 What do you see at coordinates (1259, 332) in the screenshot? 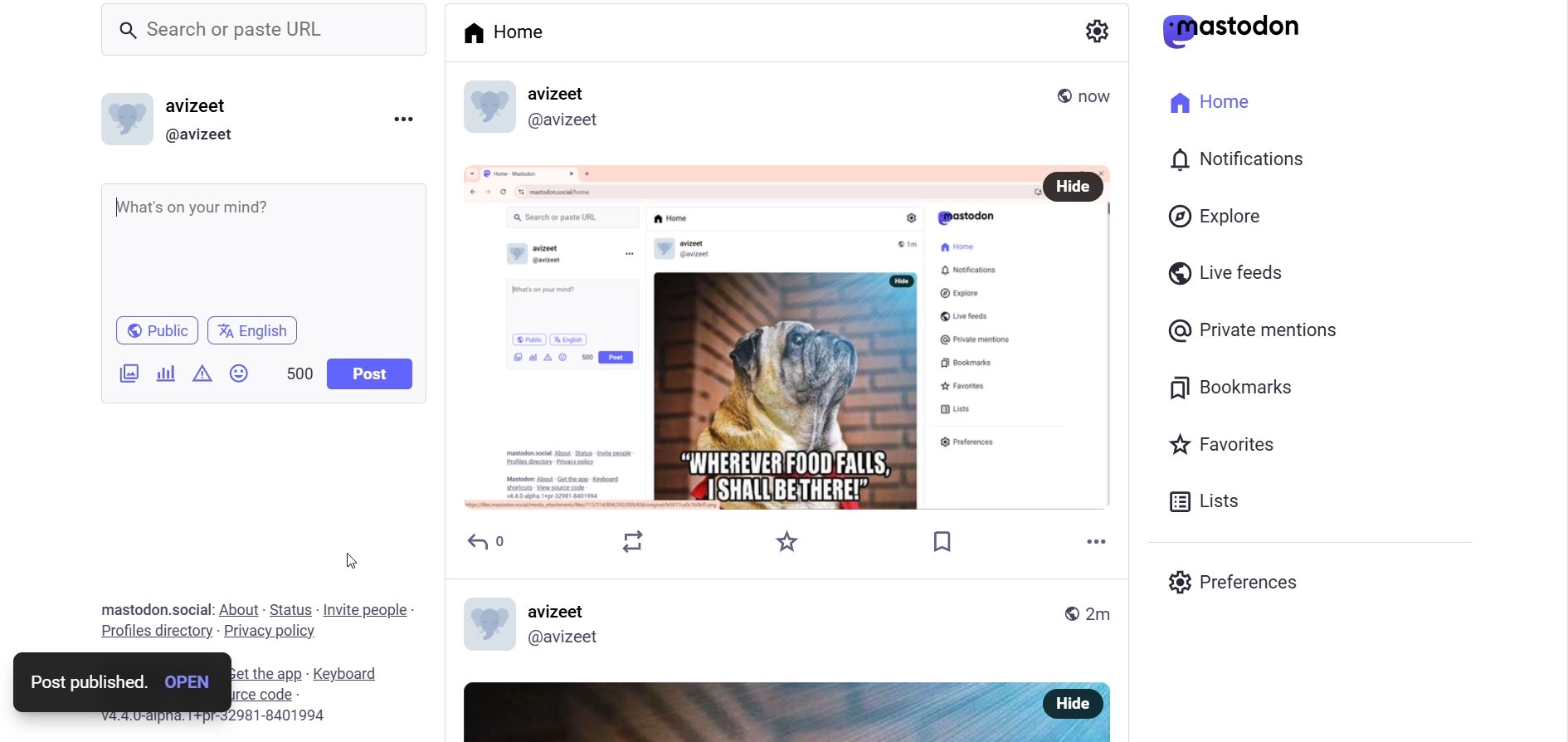
I see `private mention` at bounding box center [1259, 332].